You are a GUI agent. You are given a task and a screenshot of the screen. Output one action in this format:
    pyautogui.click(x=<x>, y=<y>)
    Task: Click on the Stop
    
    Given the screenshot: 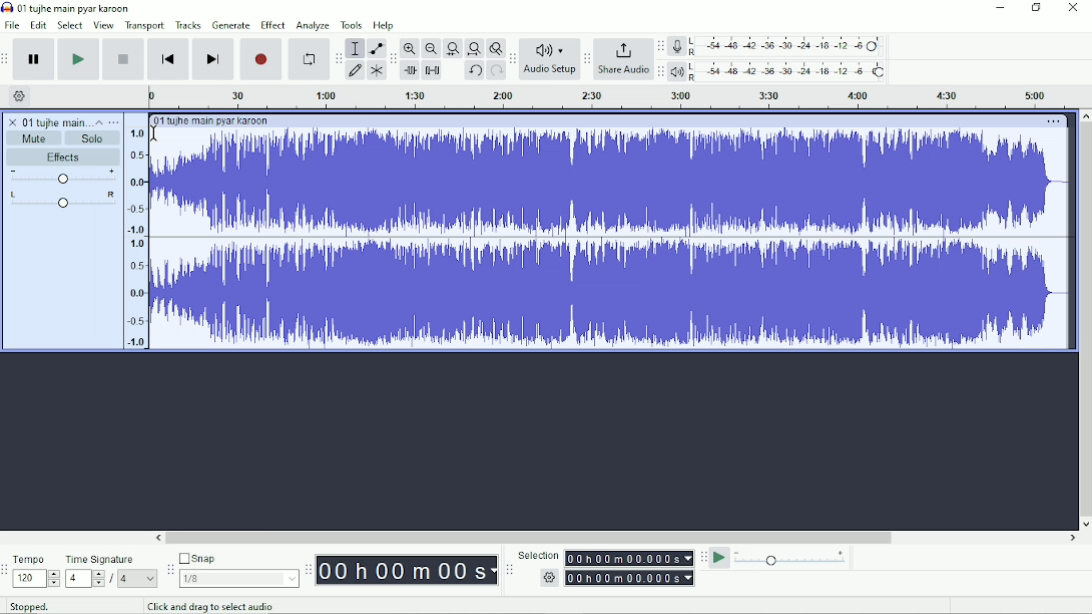 What is the action you would take?
    pyautogui.click(x=124, y=60)
    